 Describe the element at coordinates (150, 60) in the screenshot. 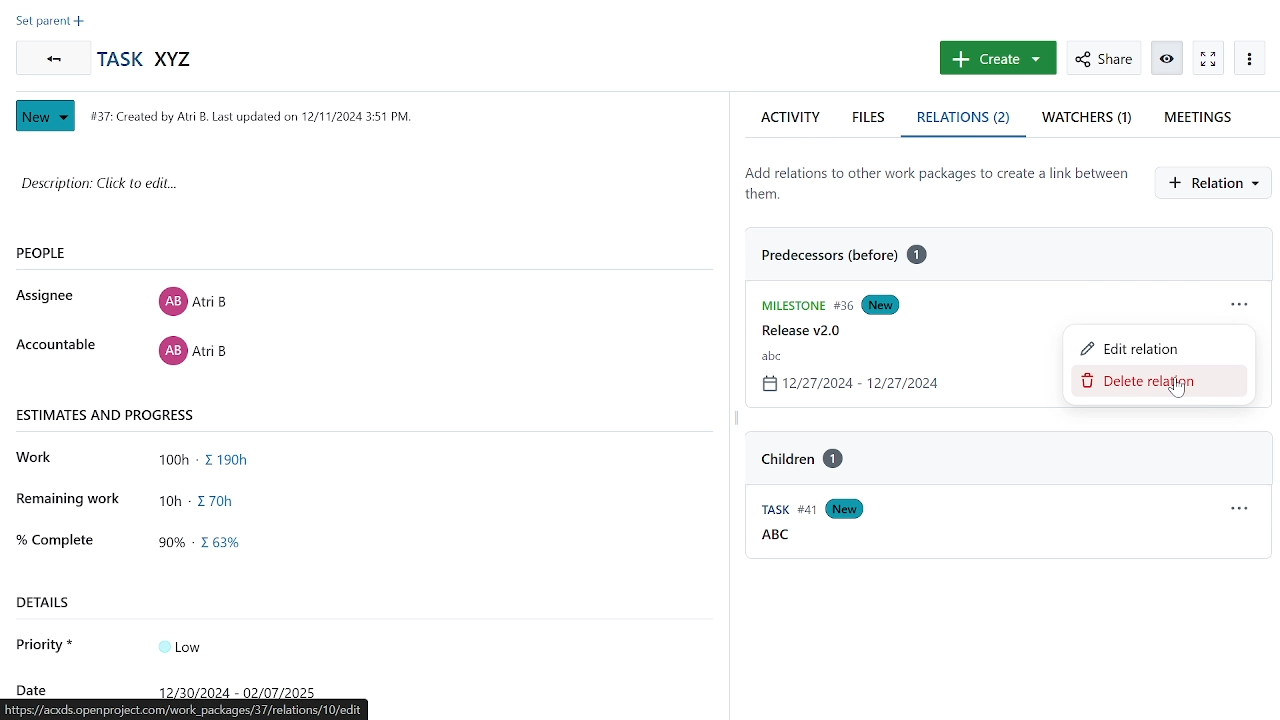

I see `task name` at that location.